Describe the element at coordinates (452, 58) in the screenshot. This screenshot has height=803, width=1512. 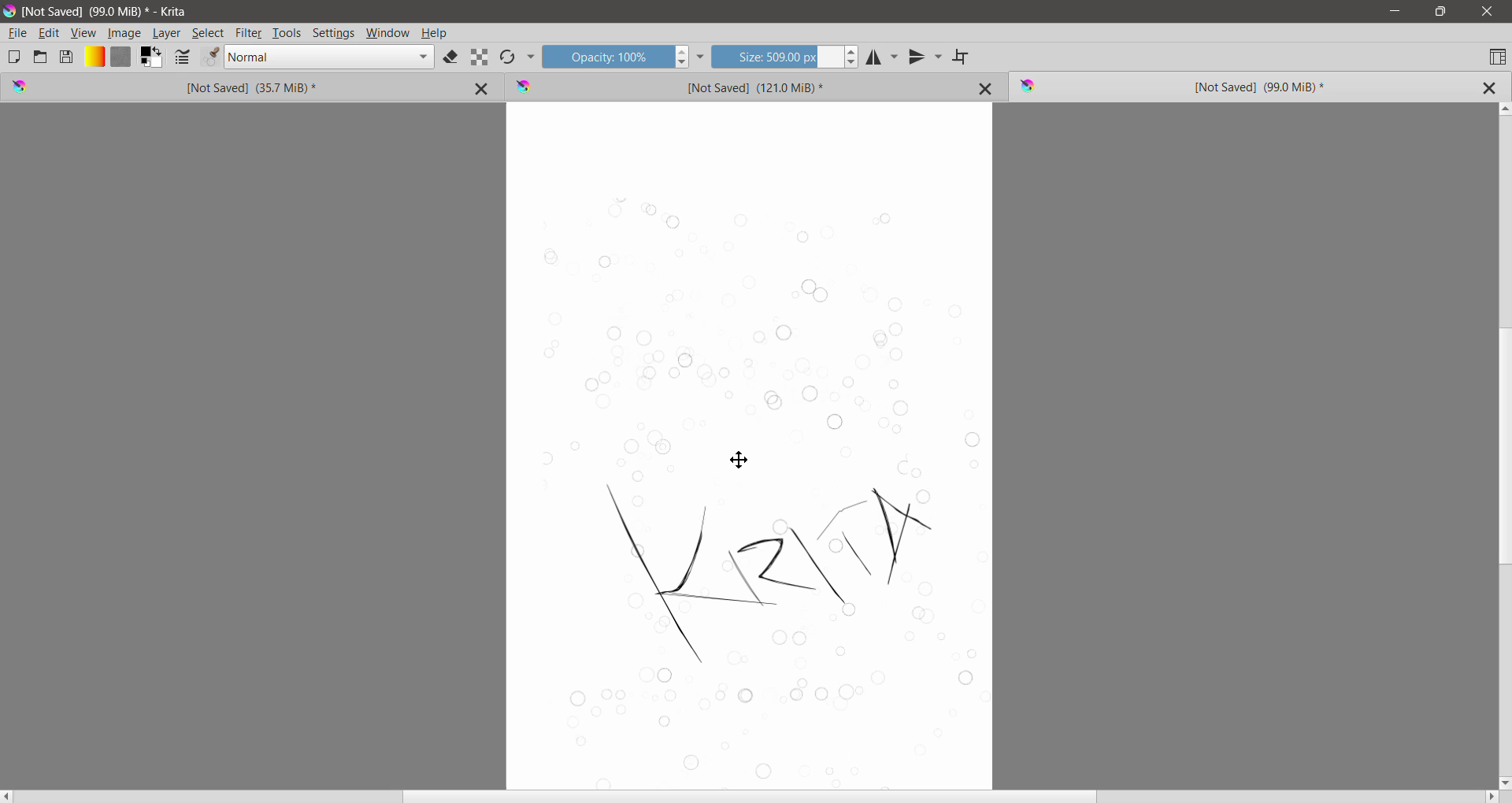
I see `Set eraser mode` at that location.